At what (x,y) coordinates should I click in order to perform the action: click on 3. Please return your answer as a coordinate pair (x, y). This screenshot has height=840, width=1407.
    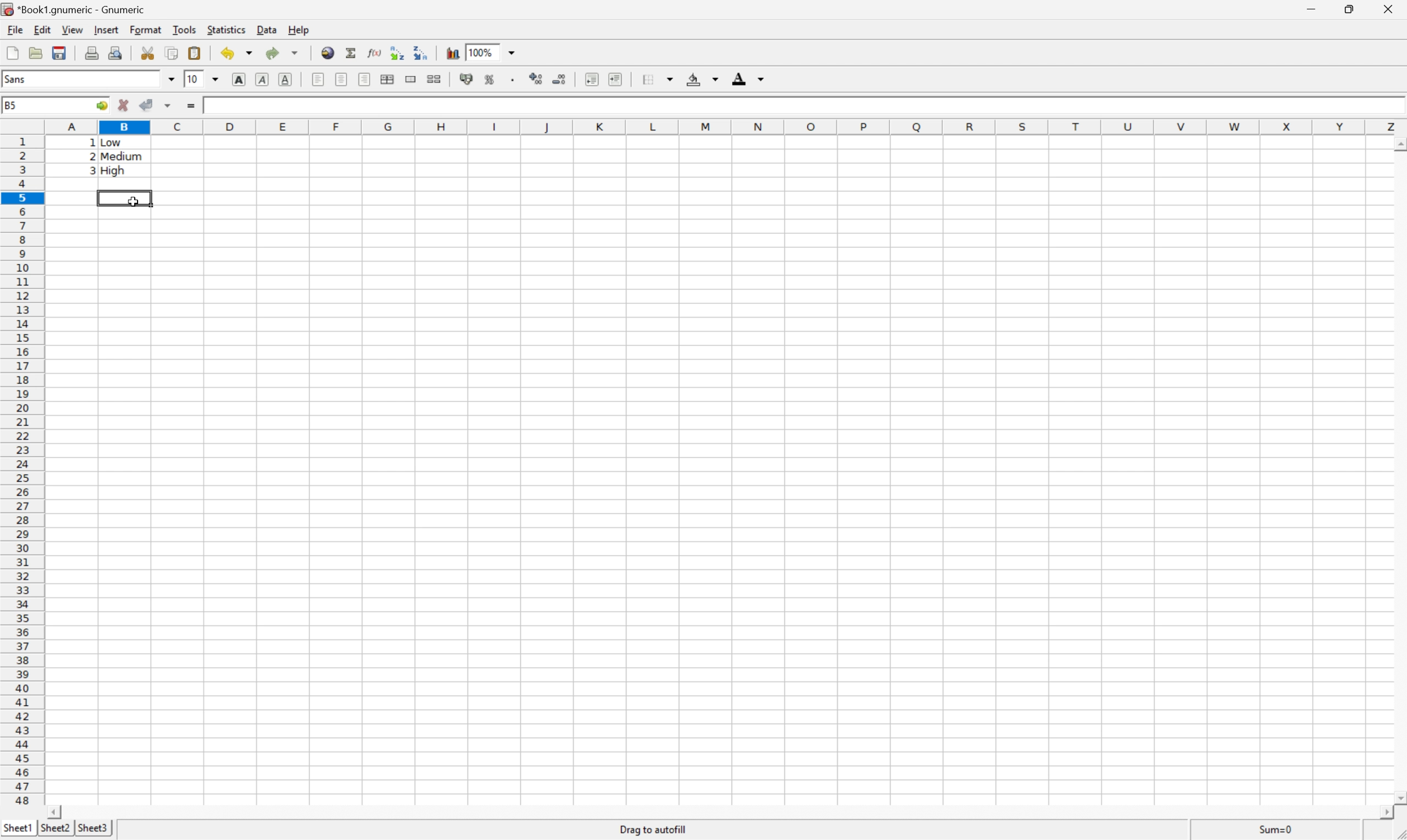
    Looking at the image, I should click on (92, 170).